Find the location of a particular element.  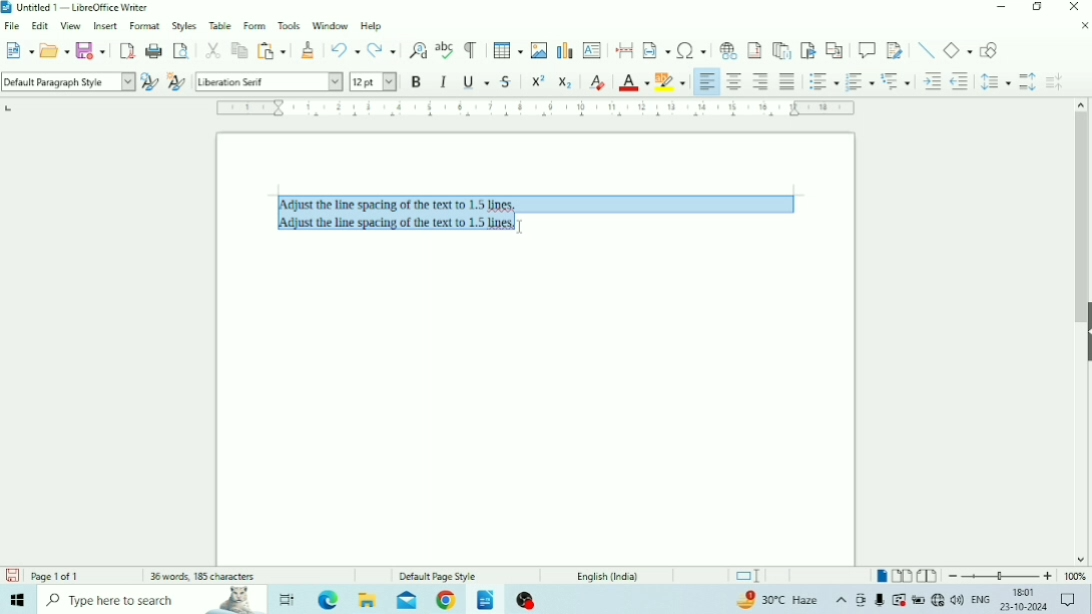

Insert Line is located at coordinates (925, 50).